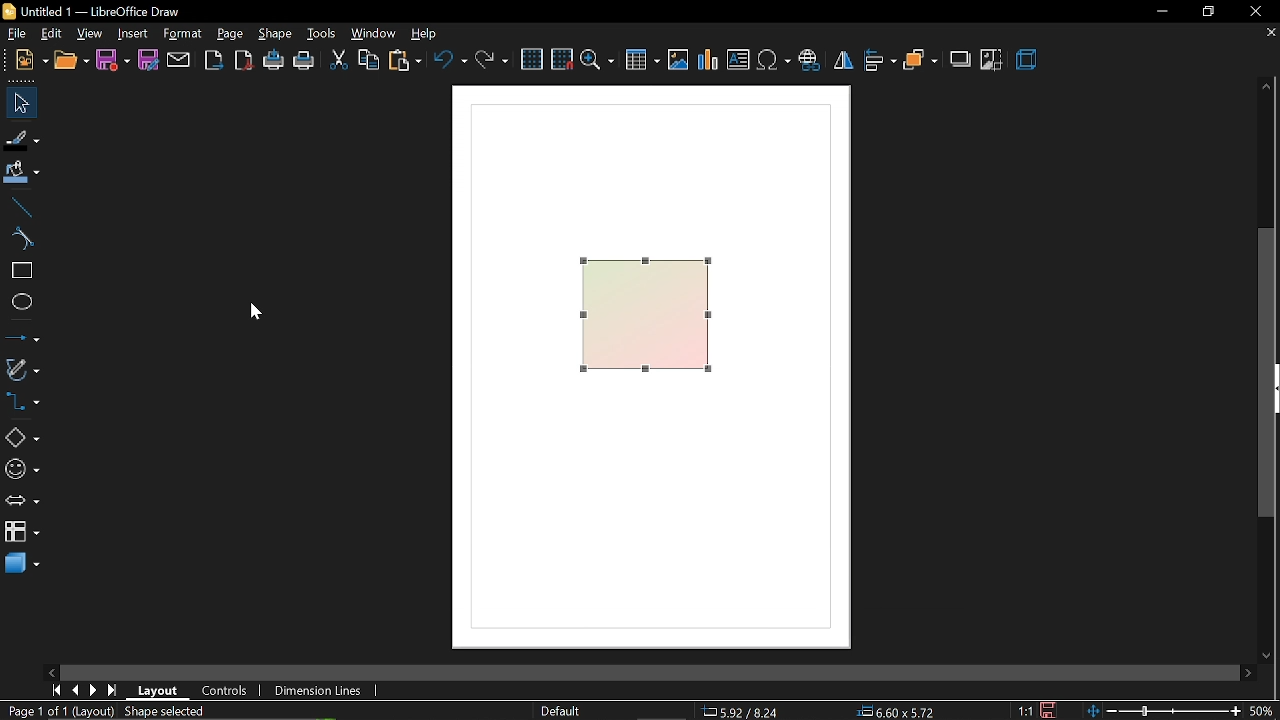  I want to click on Gradient added, so click(645, 320).